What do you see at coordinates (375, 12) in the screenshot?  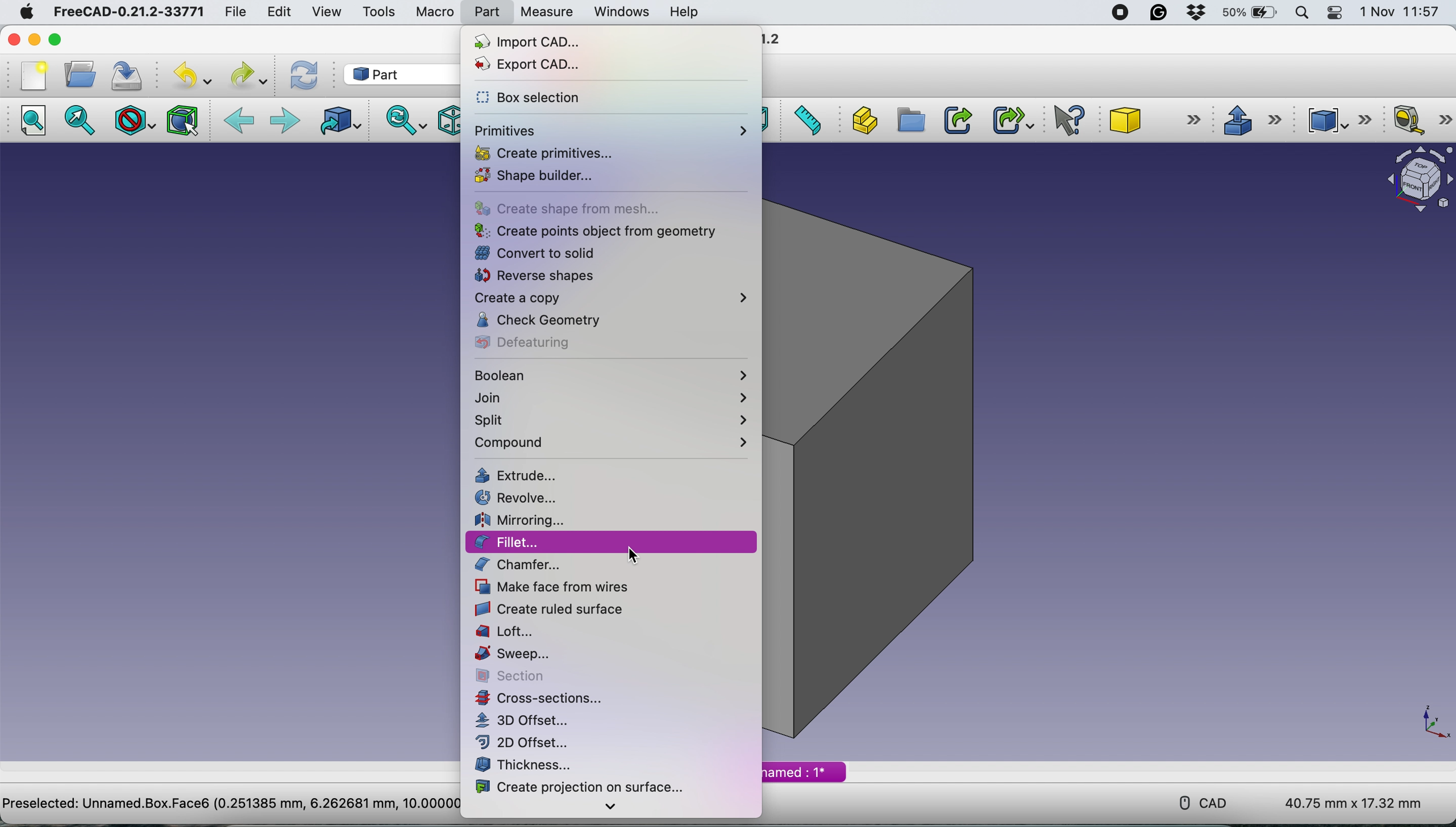 I see `tools` at bounding box center [375, 12].